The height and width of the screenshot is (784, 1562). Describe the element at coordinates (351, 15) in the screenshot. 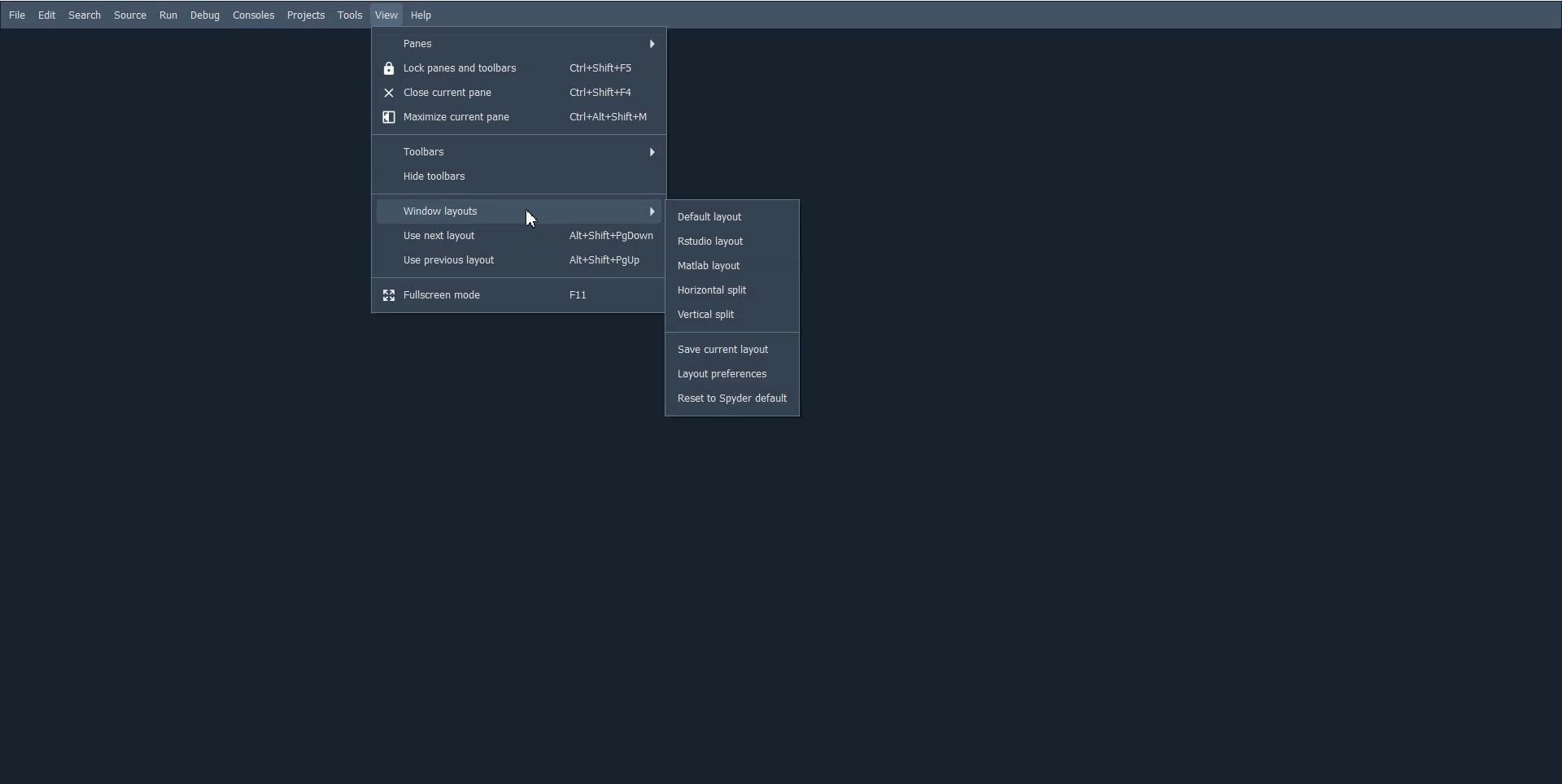

I see `Tools` at that location.